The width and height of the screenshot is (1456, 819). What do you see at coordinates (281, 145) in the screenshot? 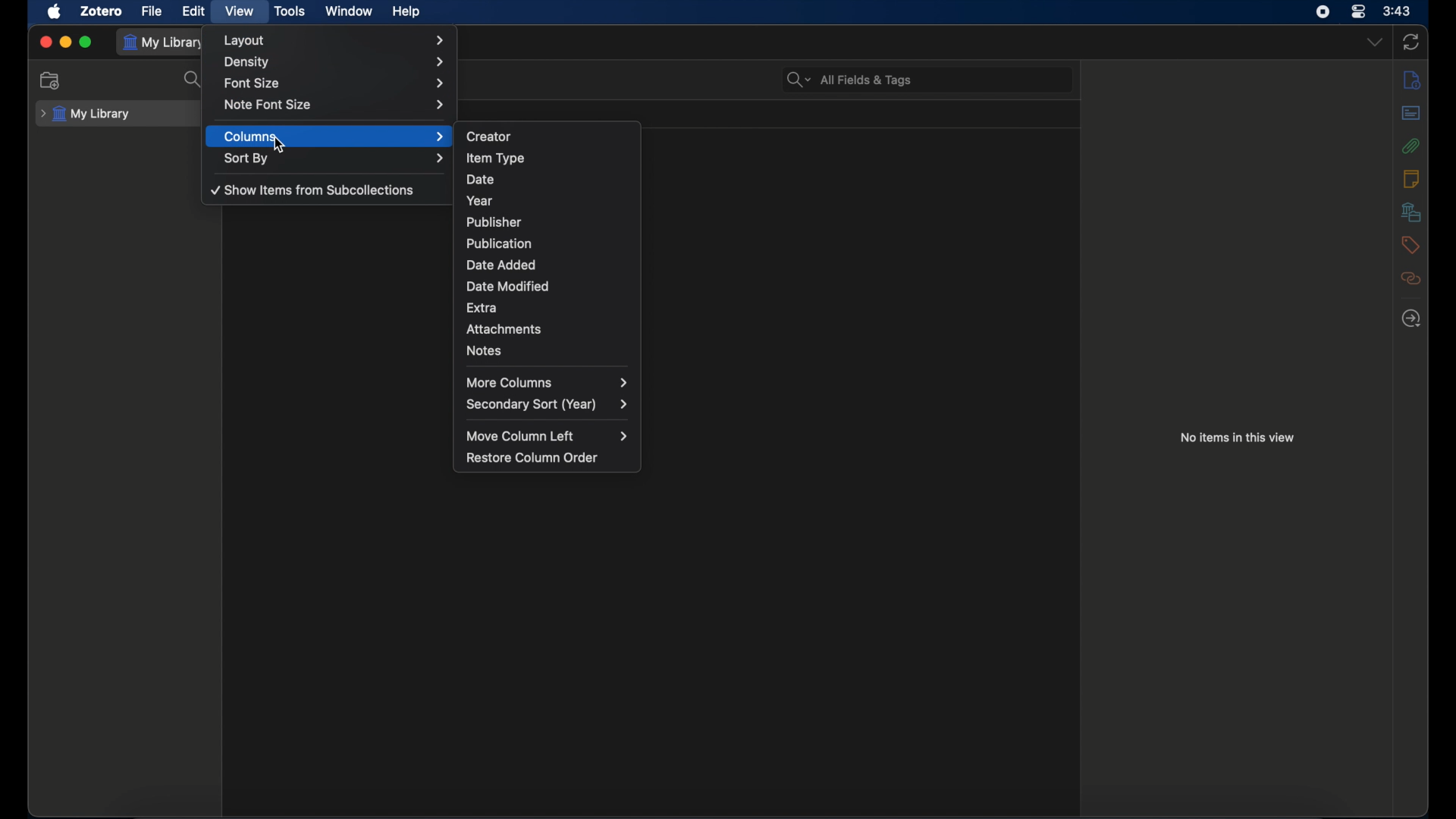
I see `cursor` at bounding box center [281, 145].